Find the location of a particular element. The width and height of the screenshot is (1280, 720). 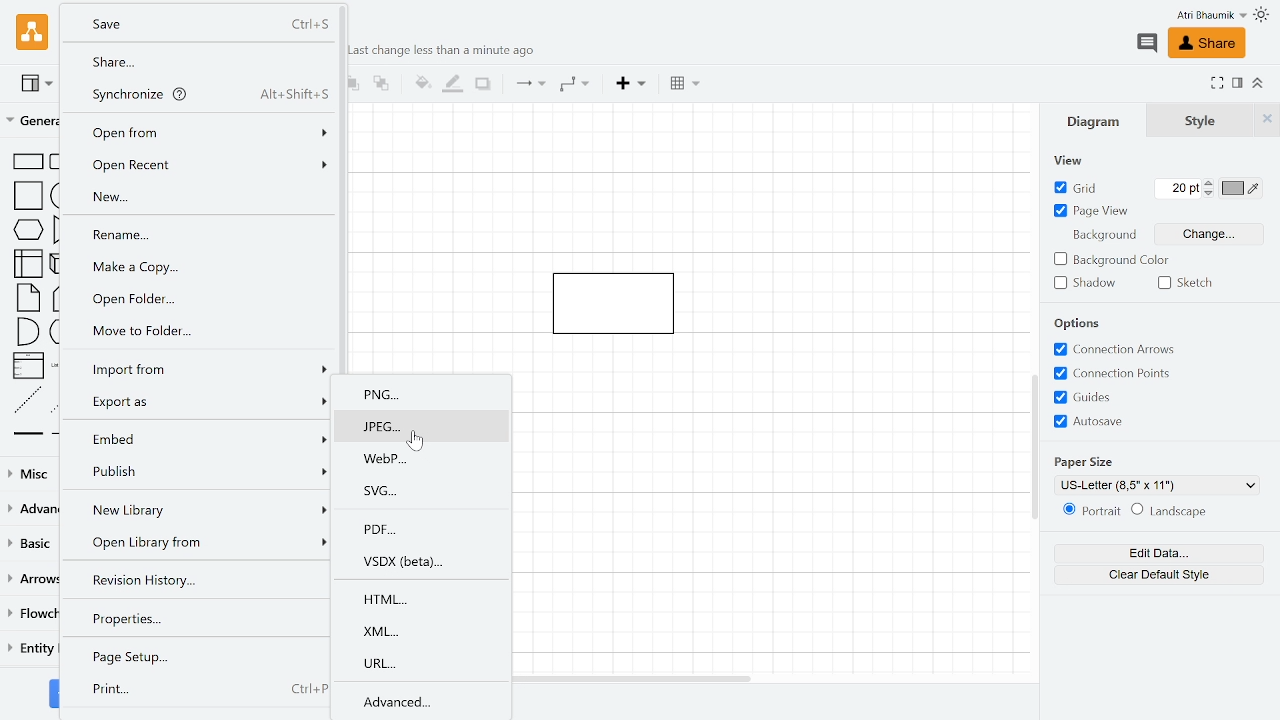

Close is located at coordinates (1267, 120).